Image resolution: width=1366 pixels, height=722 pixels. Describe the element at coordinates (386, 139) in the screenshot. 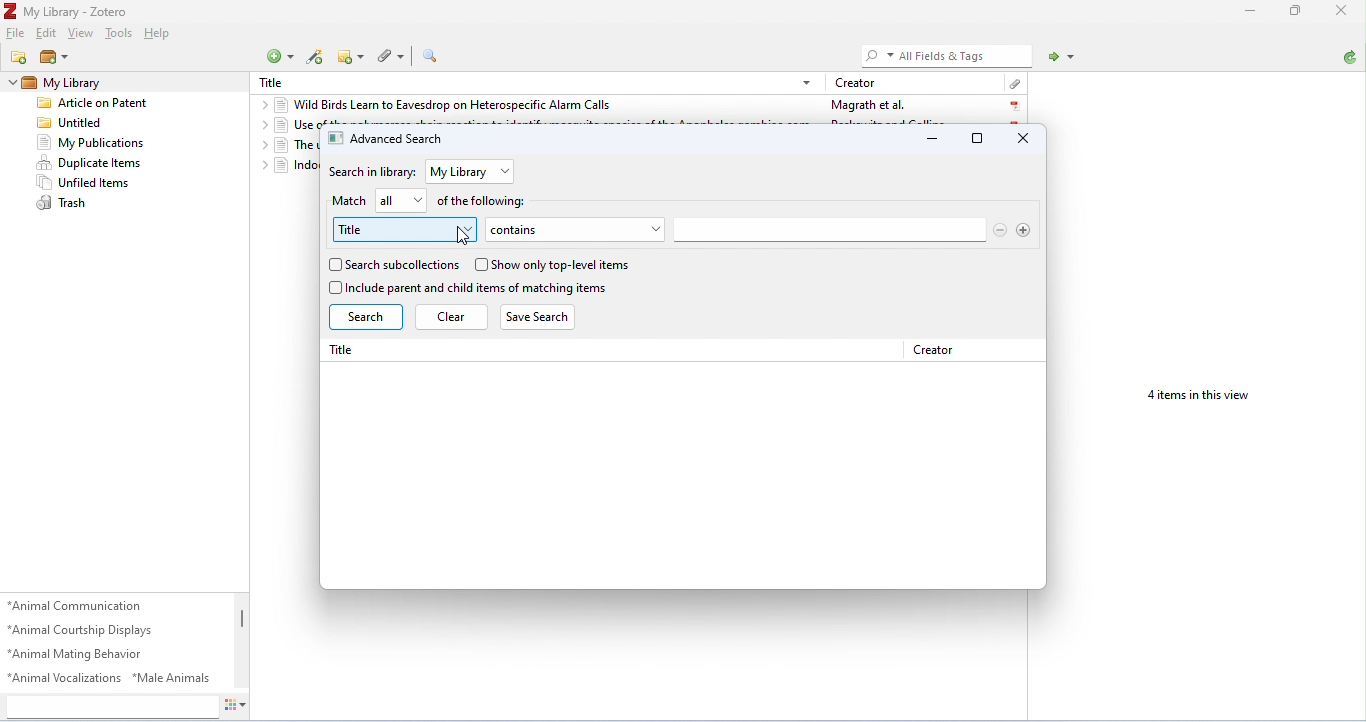

I see `advanced search` at that location.